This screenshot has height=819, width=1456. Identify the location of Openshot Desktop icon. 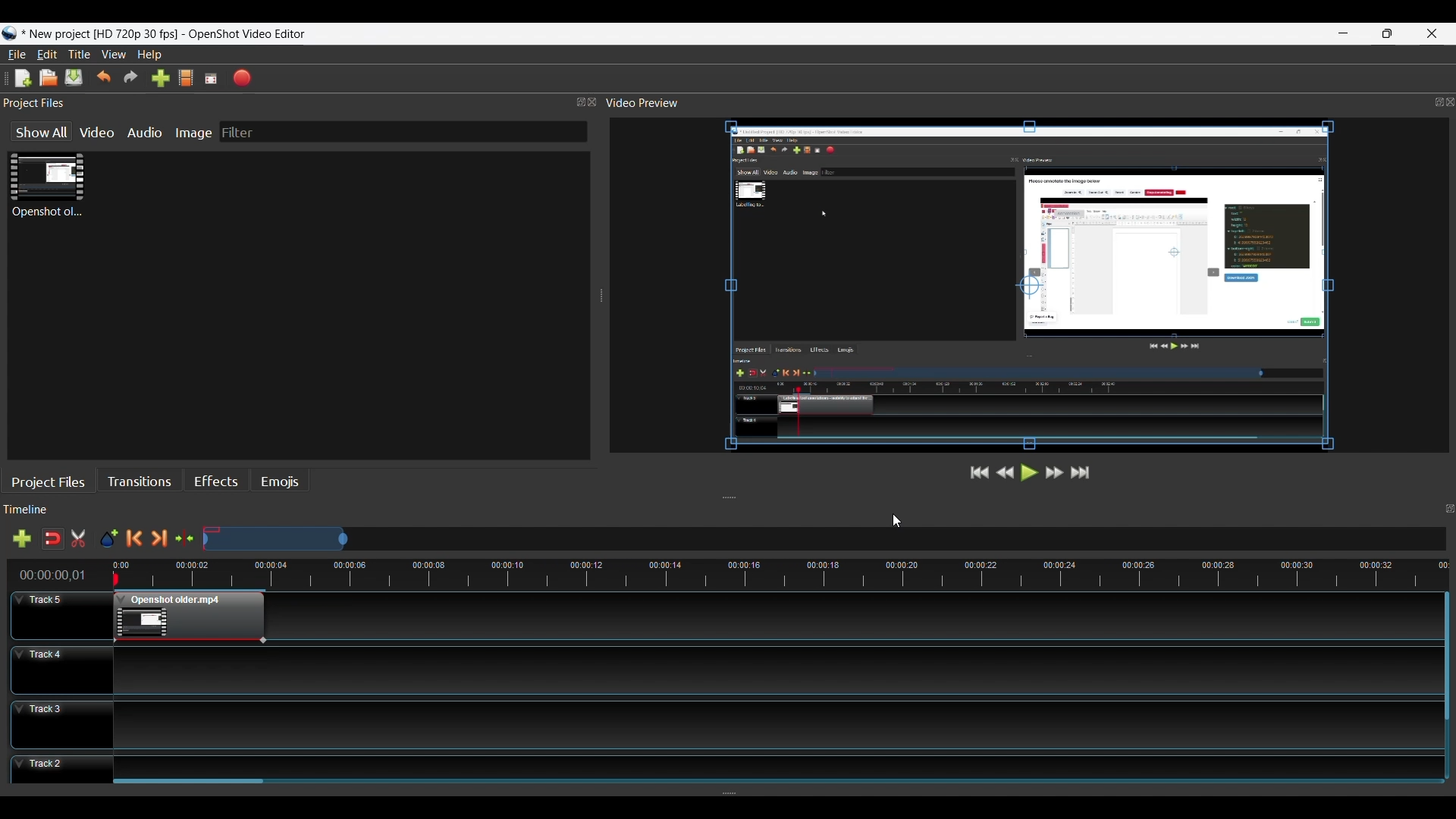
(10, 35).